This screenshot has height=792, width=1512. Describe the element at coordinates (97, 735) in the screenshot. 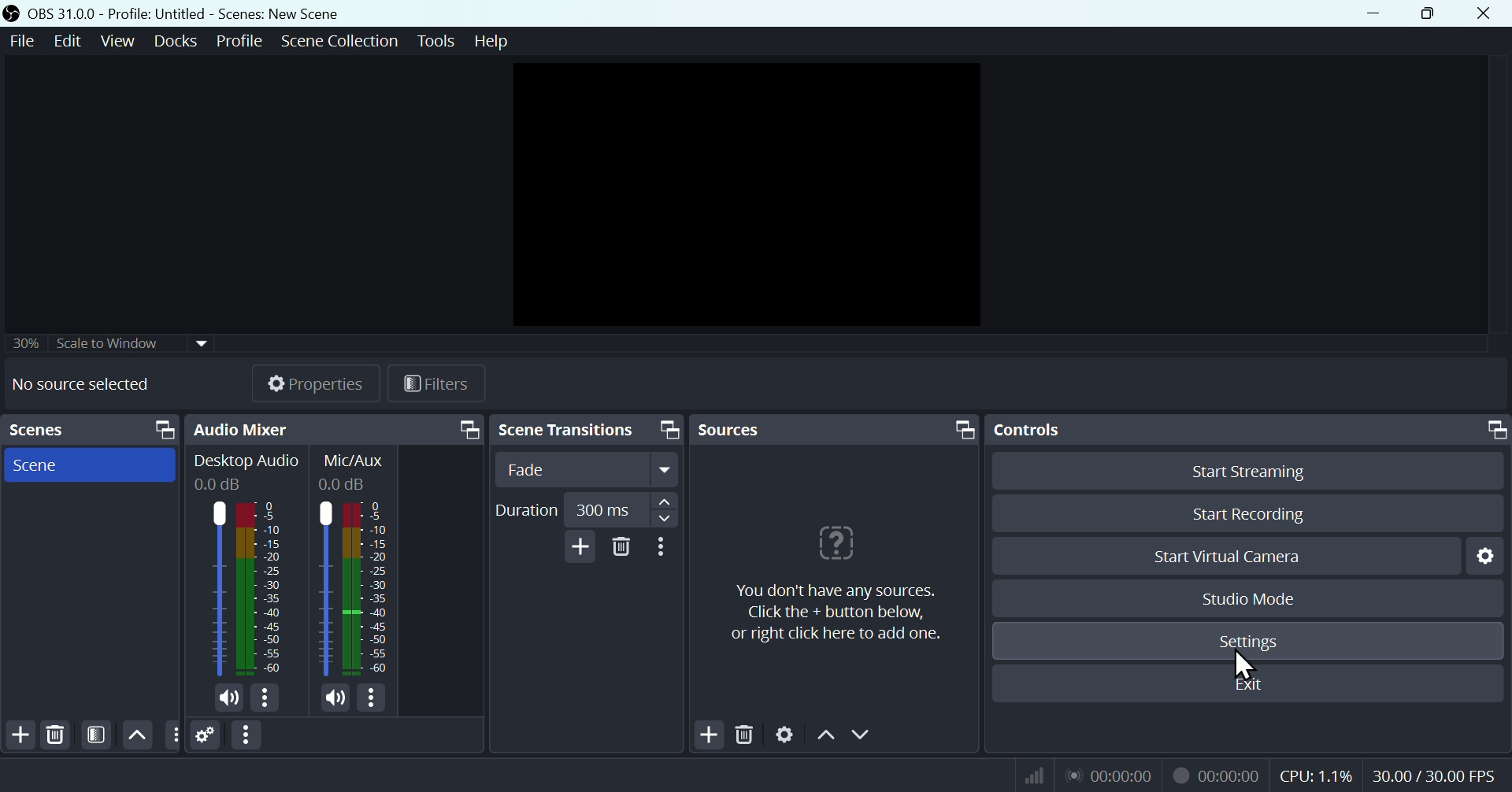

I see `Filter` at that location.